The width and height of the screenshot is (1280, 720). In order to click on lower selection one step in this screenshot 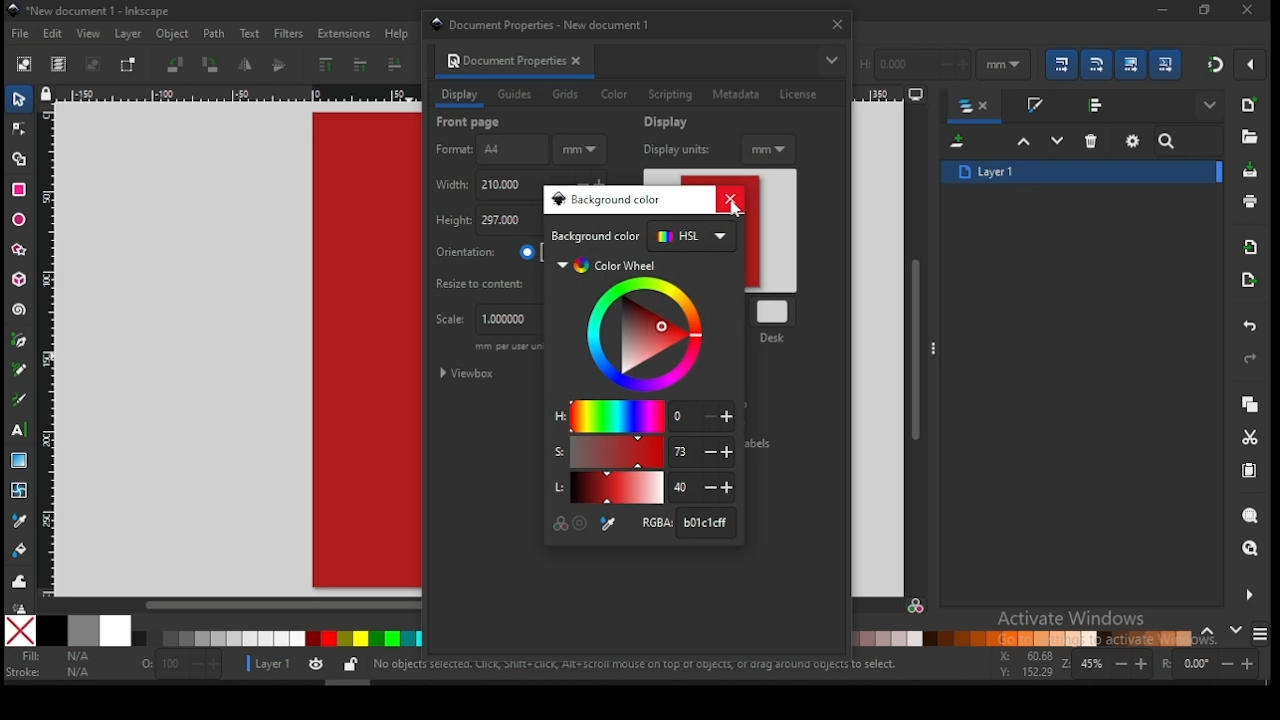, I will do `click(1057, 141)`.